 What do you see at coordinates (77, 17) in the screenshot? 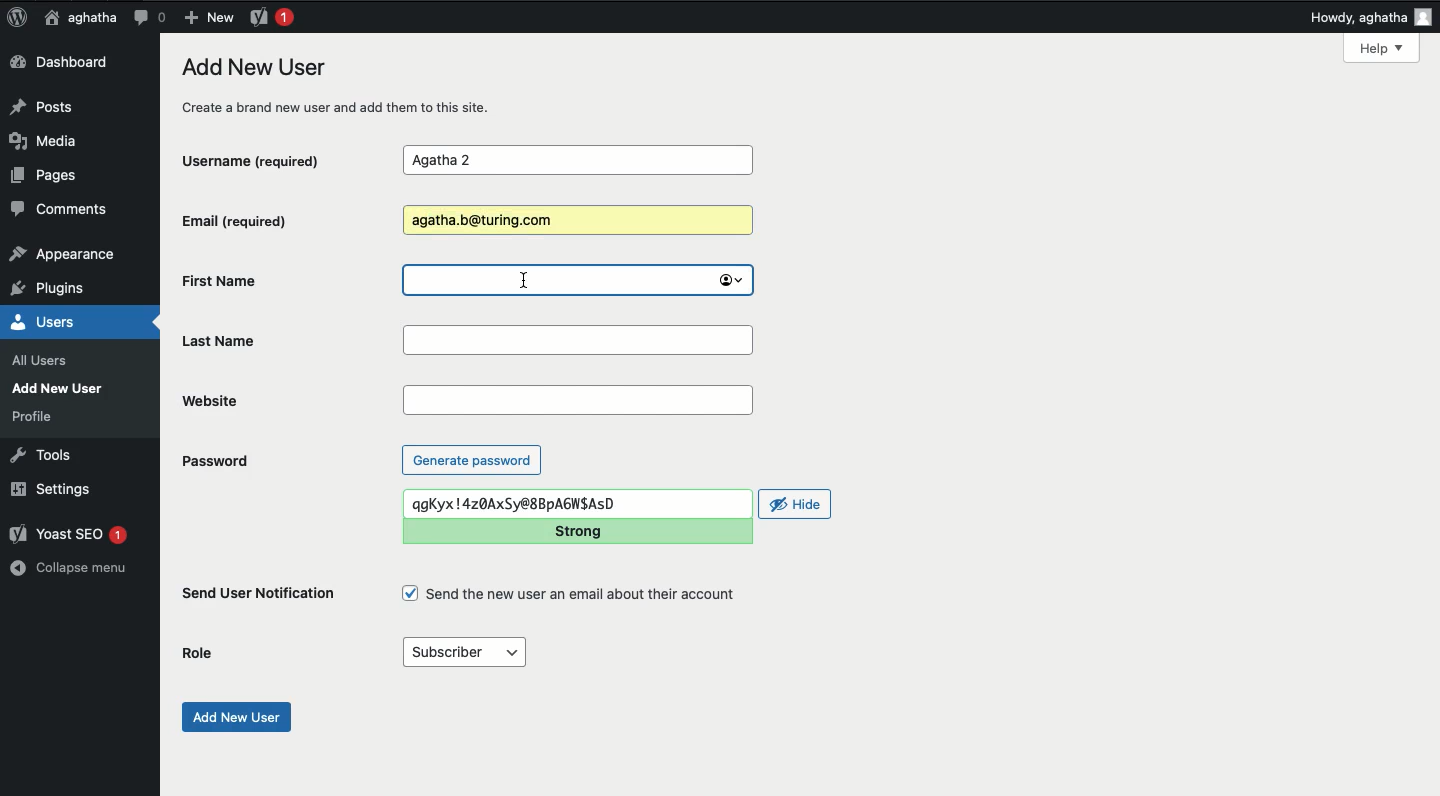
I see `aghatha` at bounding box center [77, 17].